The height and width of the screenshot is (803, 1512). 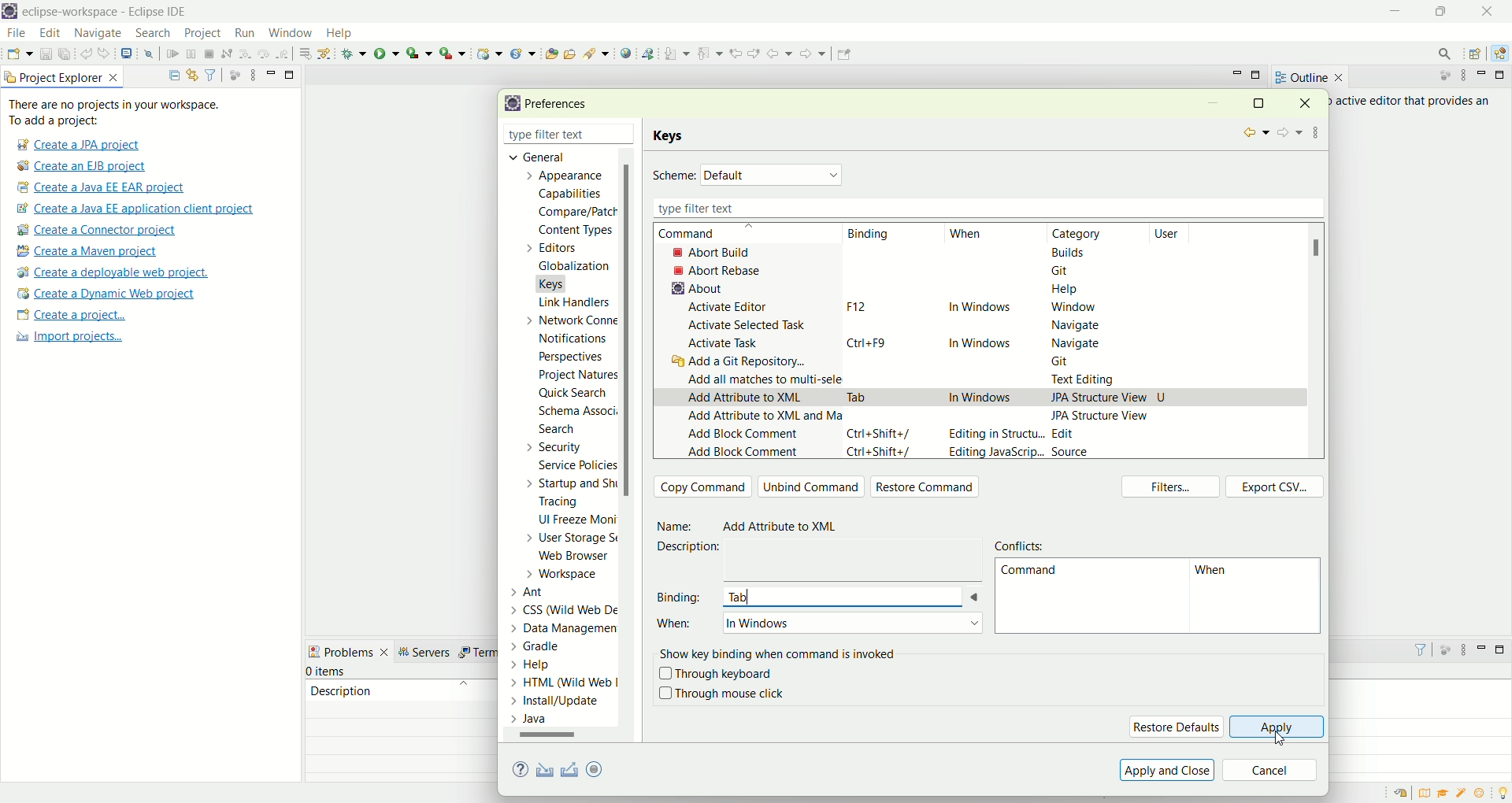 I want to click on type filter text, so click(x=550, y=136).